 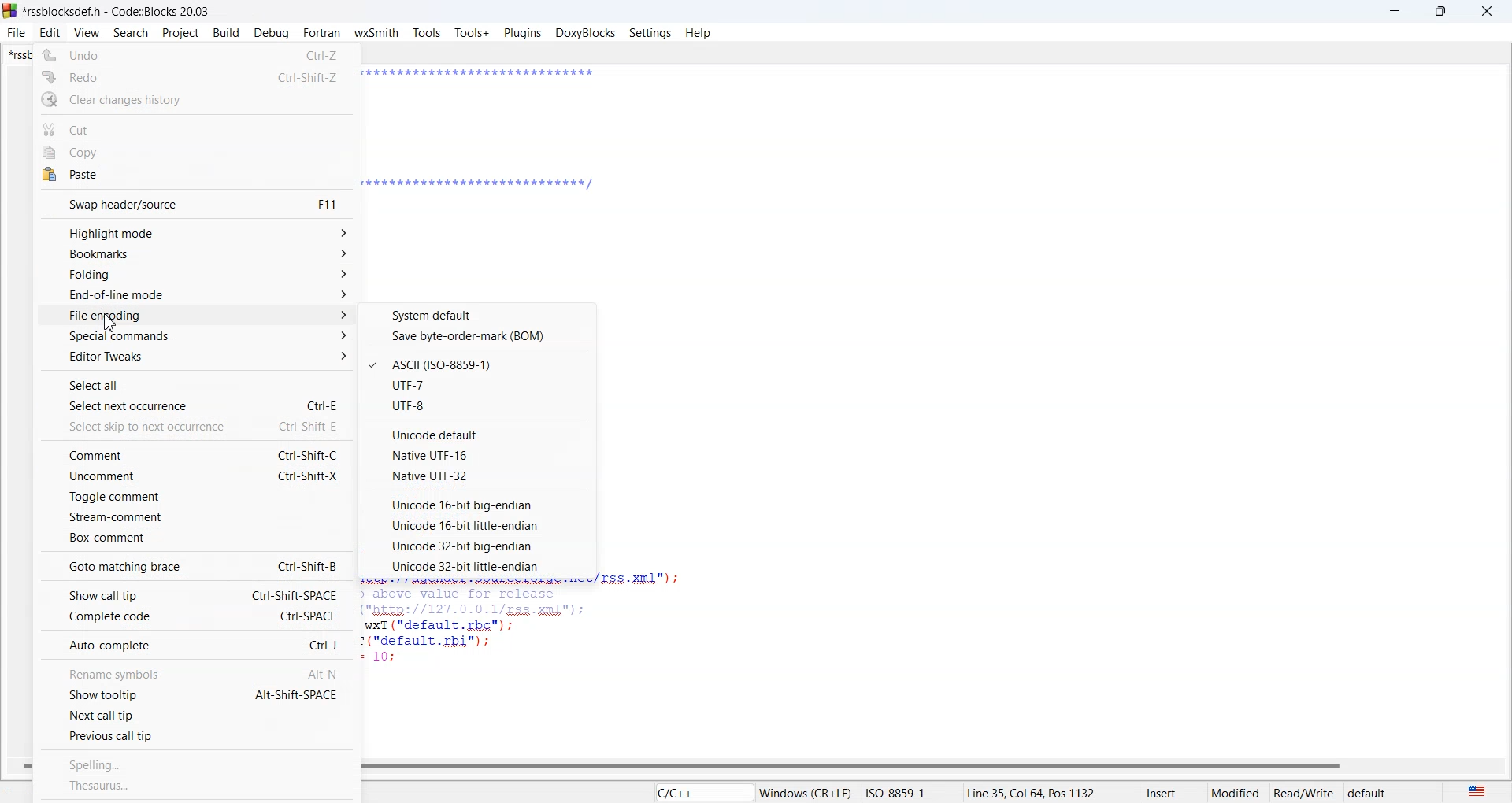 What do you see at coordinates (475, 546) in the screenshot?
I see `Unicode 32-bit big ending` at bounding box center [475, 546].